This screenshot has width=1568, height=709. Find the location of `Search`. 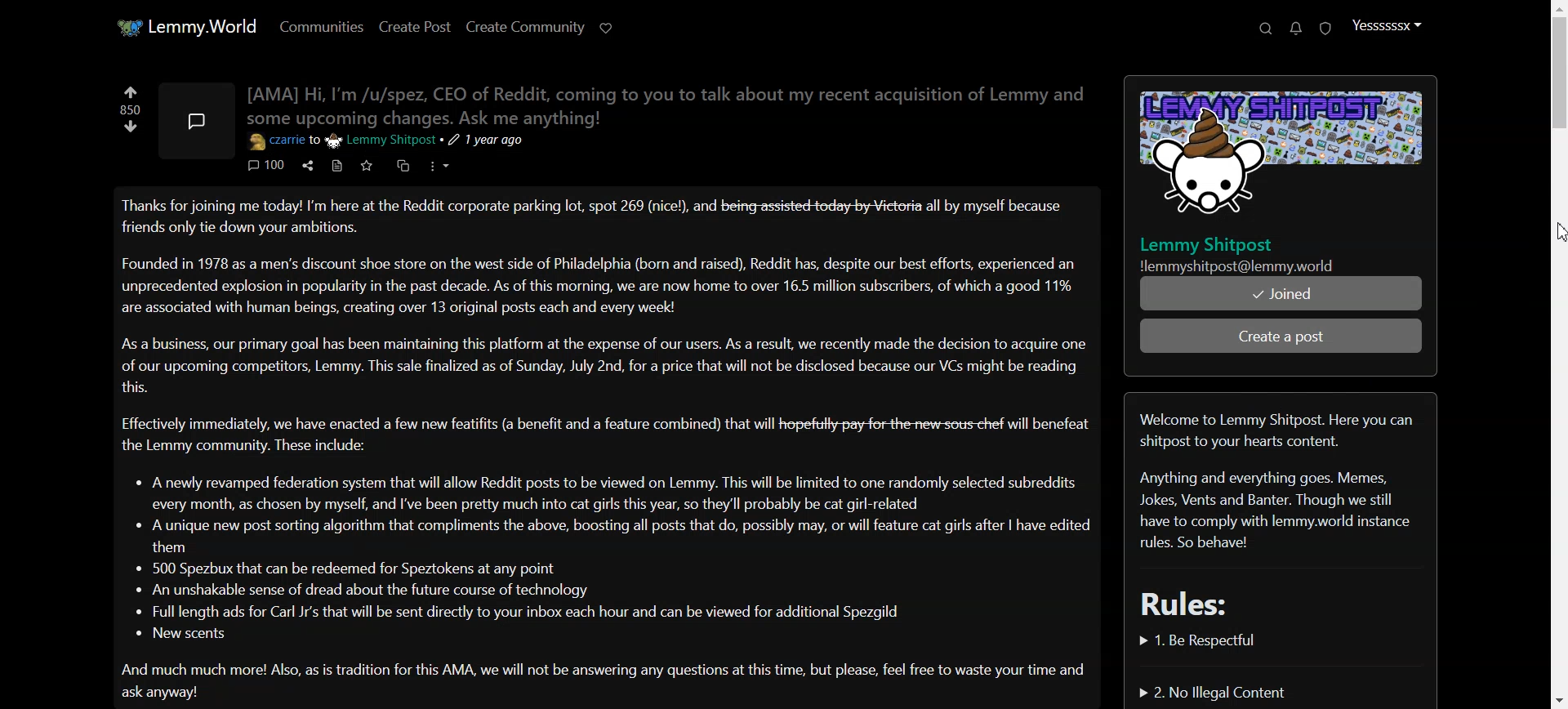

Search is located at coordinates (1263, 29).